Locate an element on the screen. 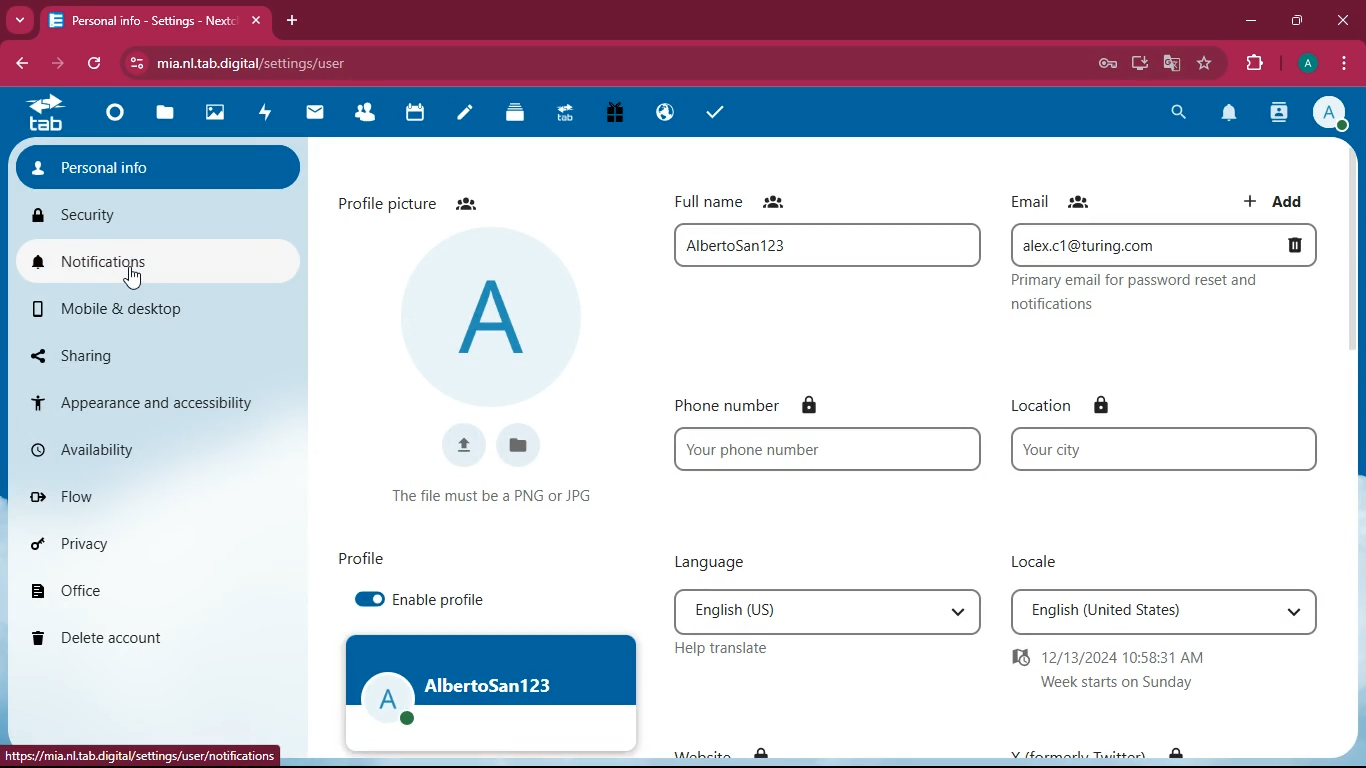 The width and height of the screenshot is (1366, 768). Drop down is located at coordinates (951, 612).